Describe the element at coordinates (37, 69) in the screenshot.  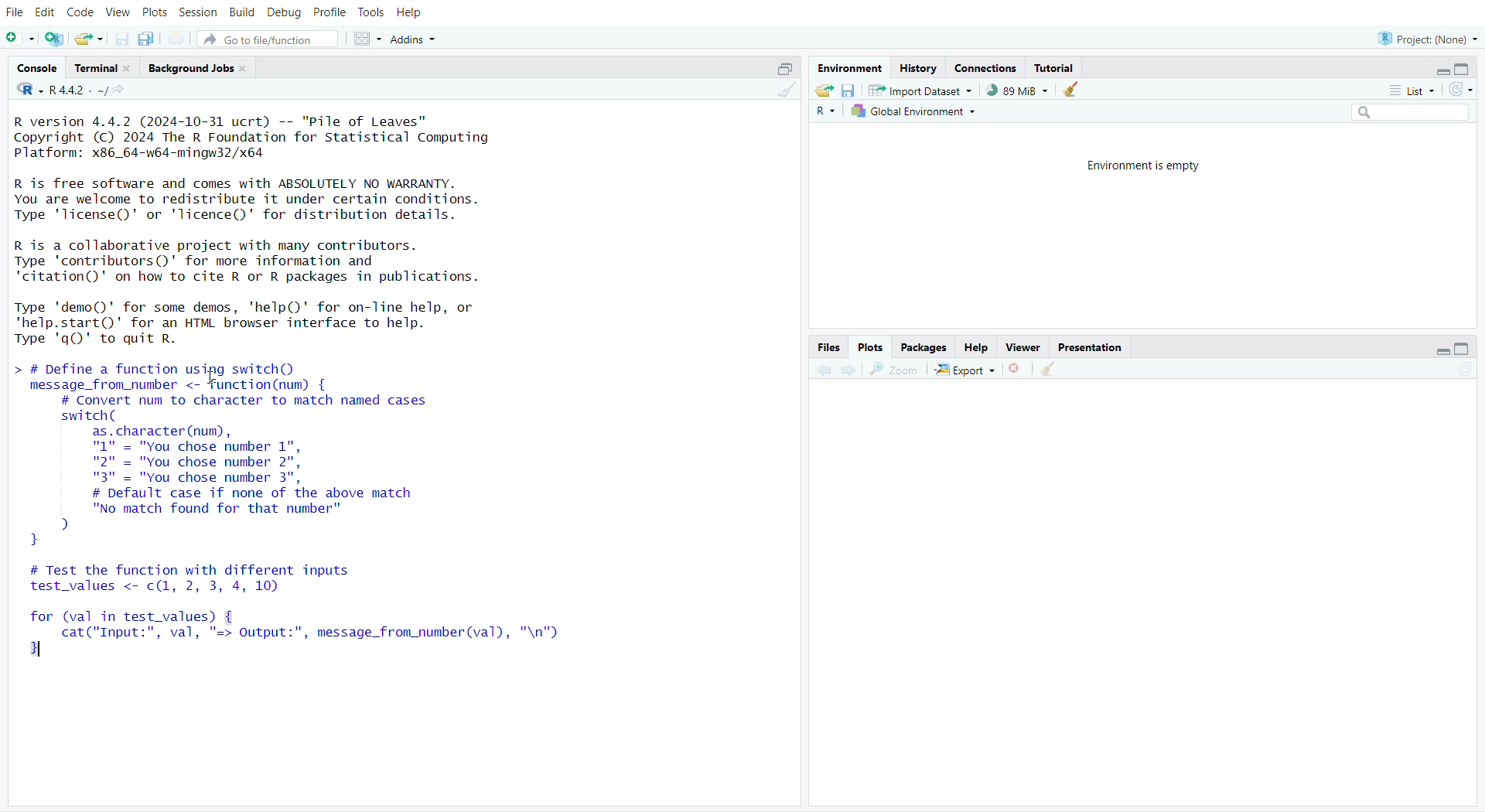
I see `Console` at that location.